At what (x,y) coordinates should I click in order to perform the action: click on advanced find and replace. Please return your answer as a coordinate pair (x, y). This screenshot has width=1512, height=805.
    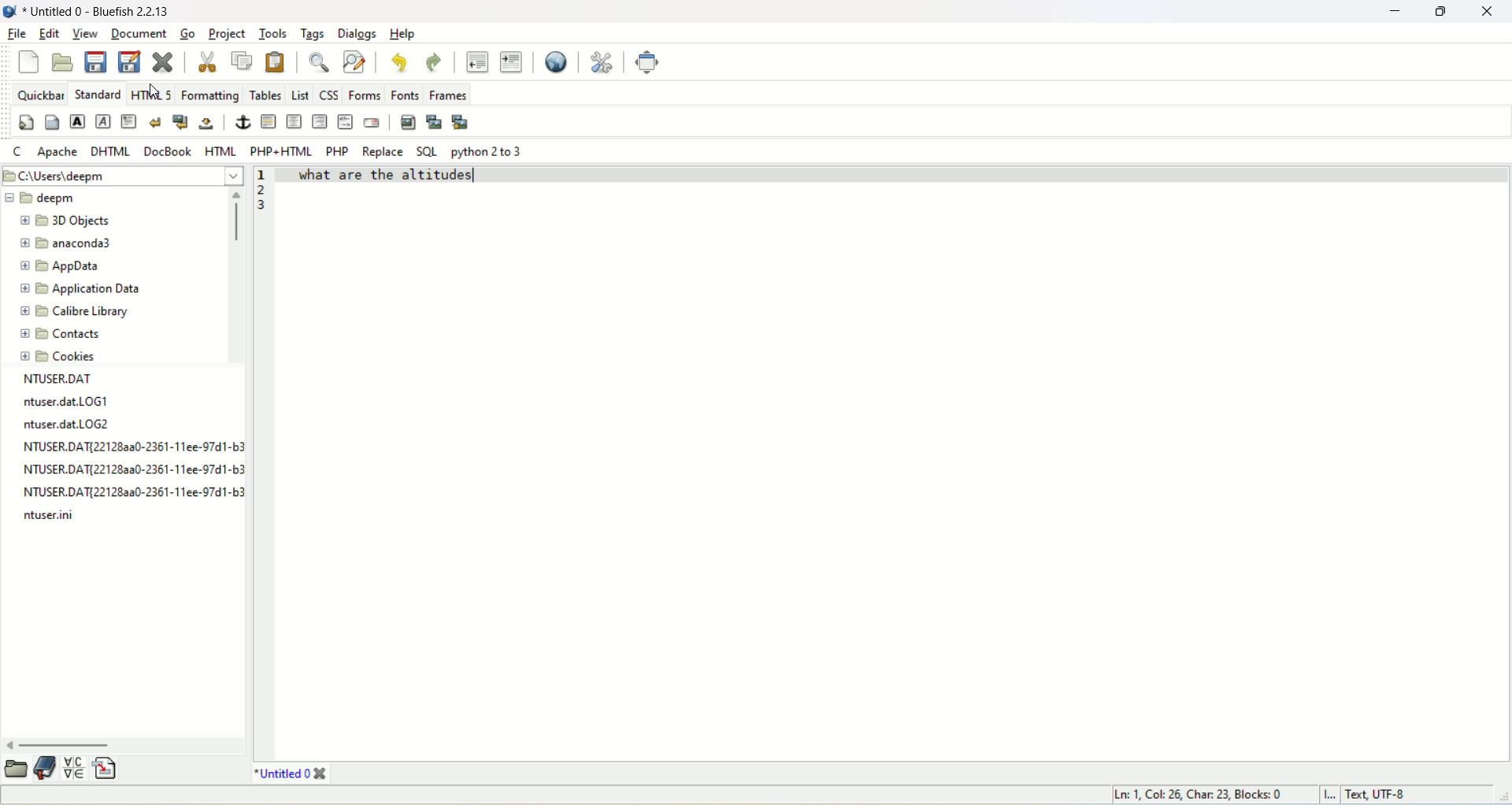
    Looking at the image, I should click on (357, 61).